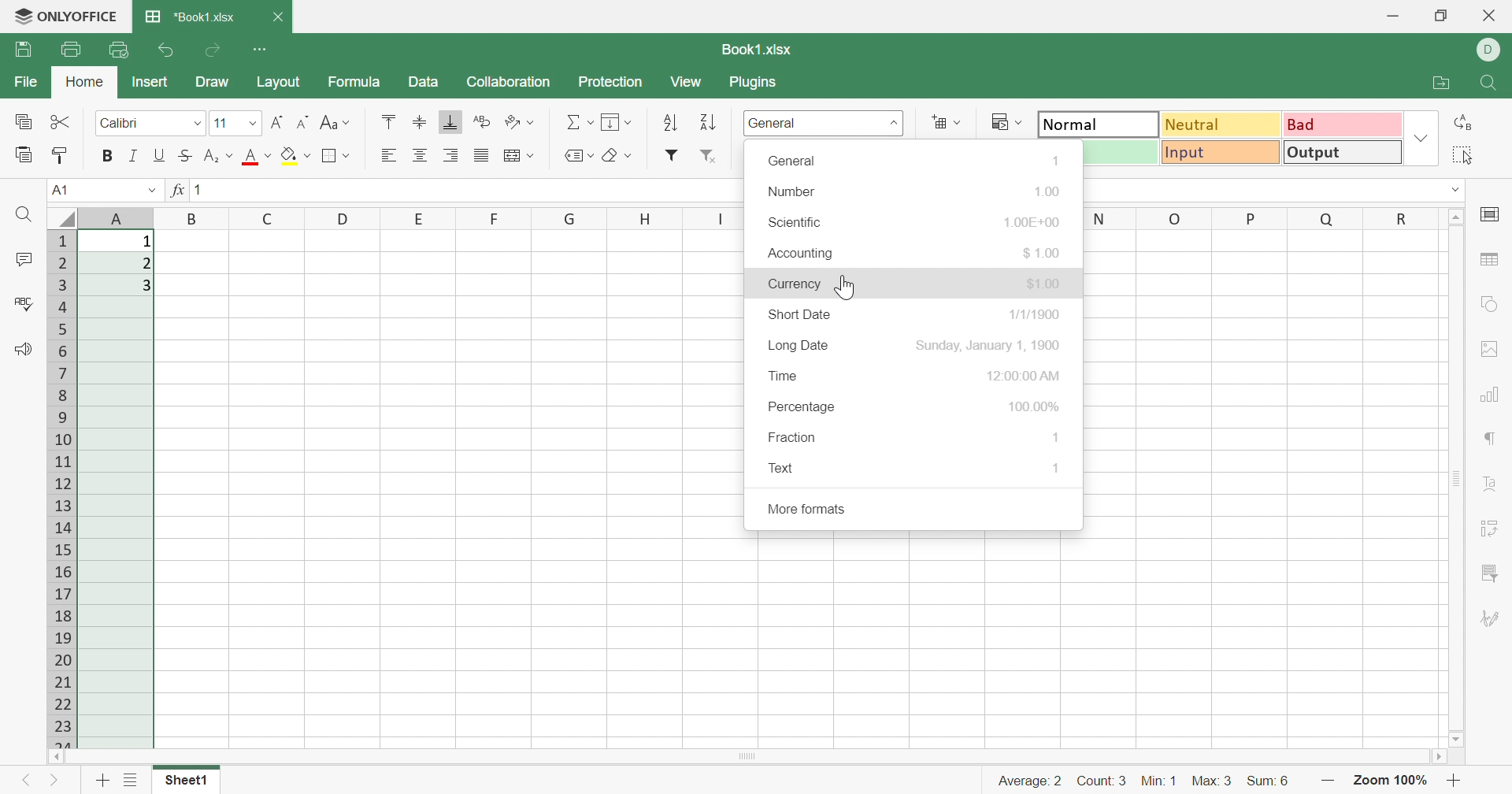  I want to click on Save, so click(23, 48).